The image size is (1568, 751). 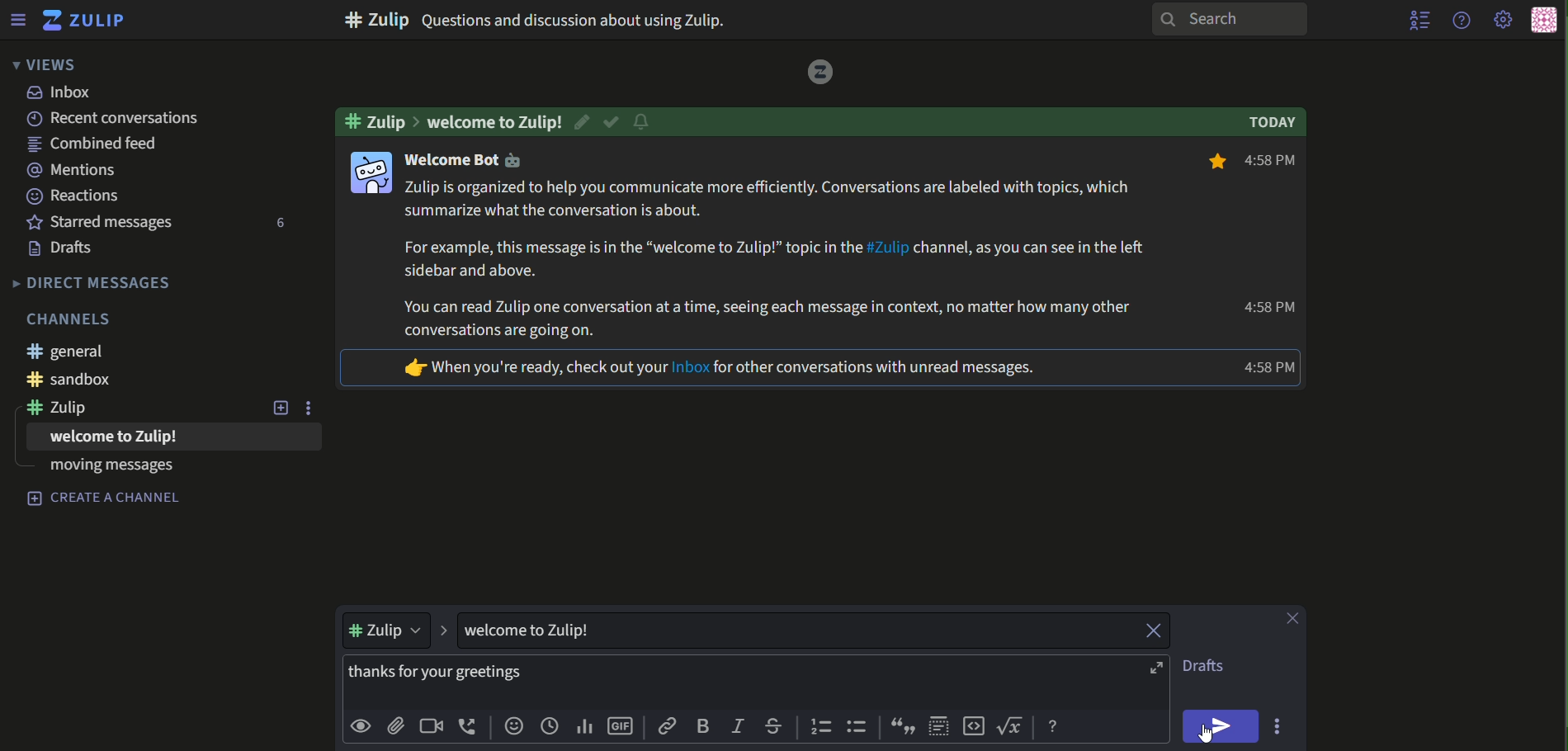 What do you see at coordinates (904, 728) in the screenshot?
I see `quote` at bounding box center [904, 728].